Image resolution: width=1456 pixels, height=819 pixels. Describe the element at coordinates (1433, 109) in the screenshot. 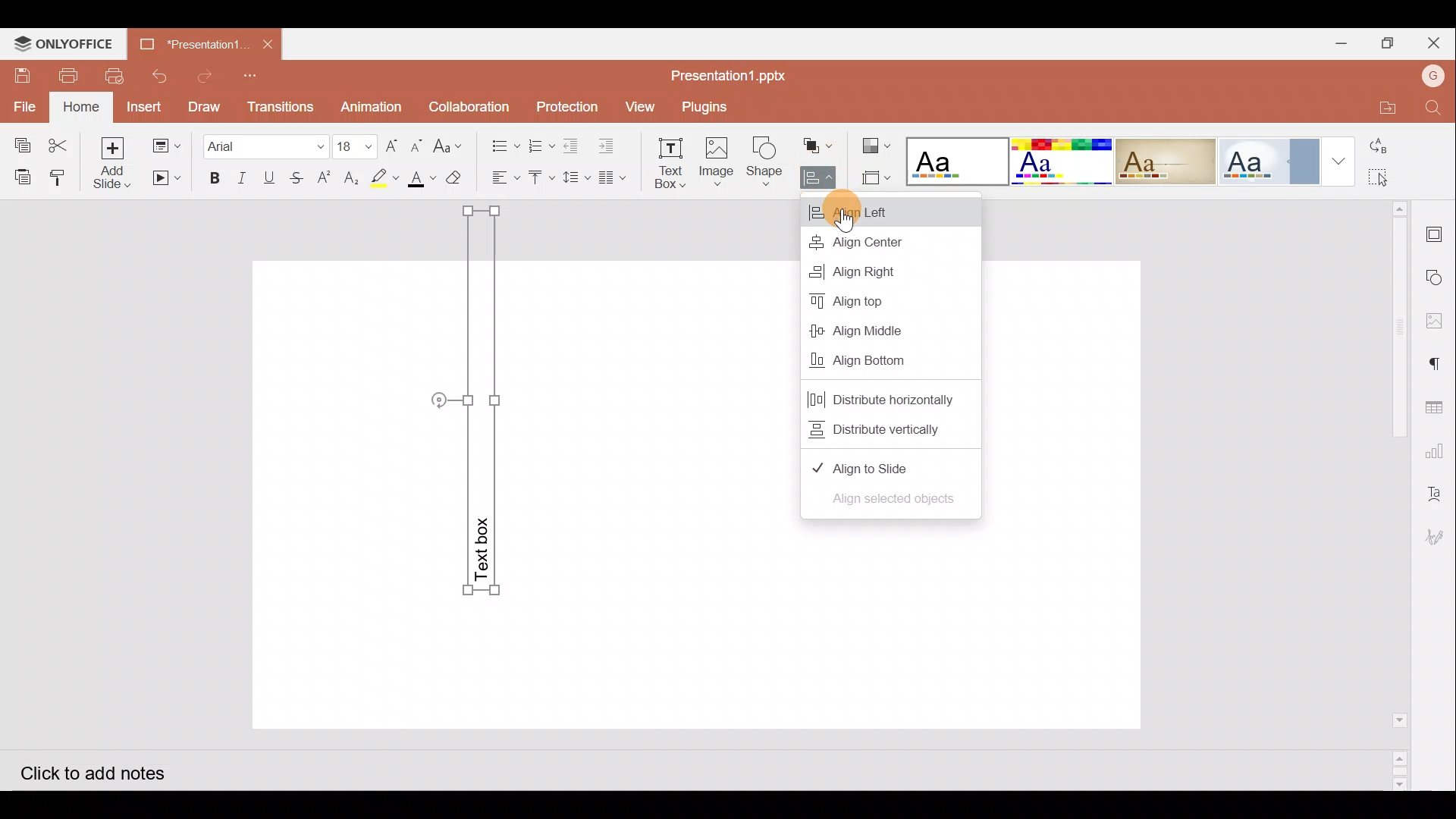

I see `Find` at that location.